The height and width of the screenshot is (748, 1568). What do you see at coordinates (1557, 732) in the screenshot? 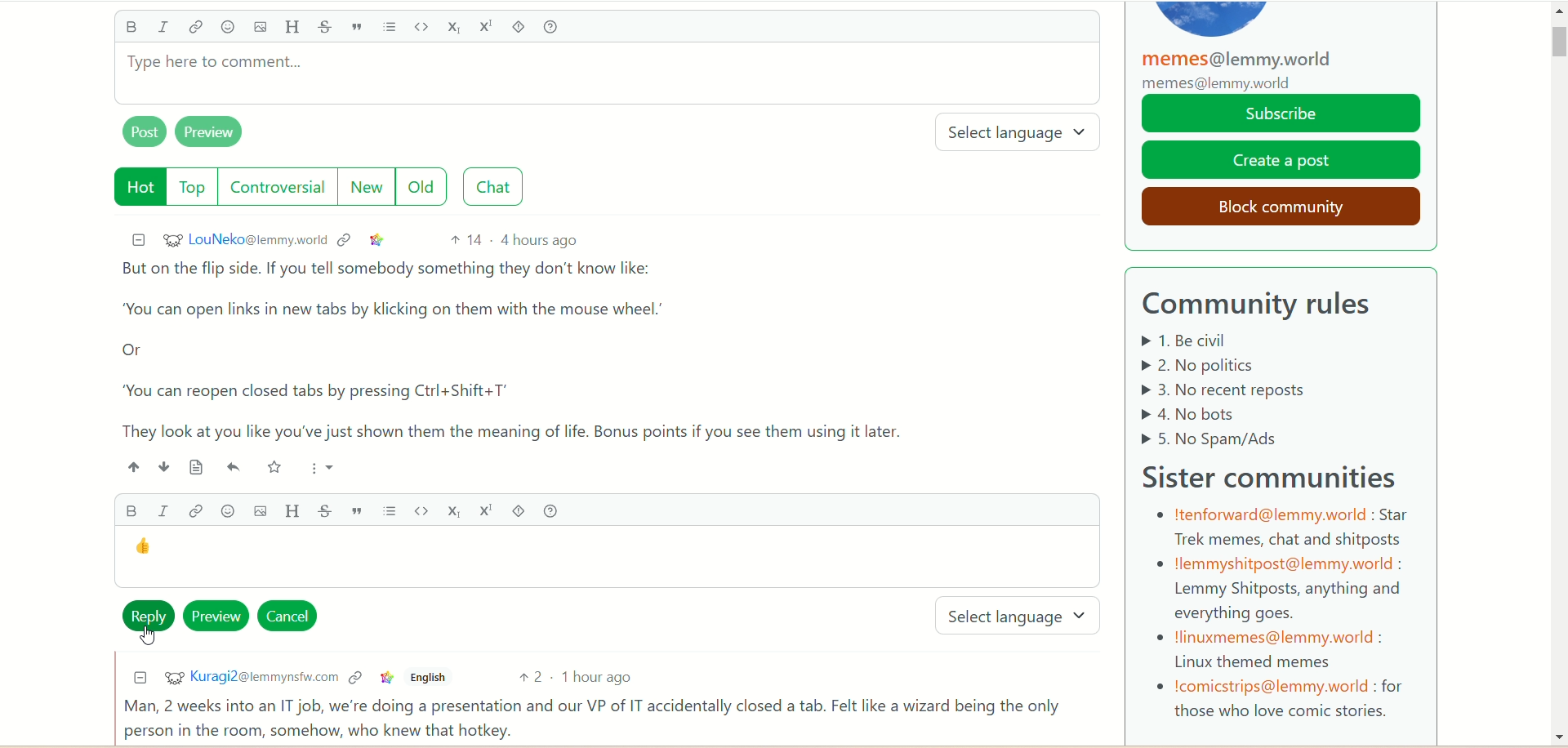
I see `Scroll down arrow` at bounding box center [1557, 732].